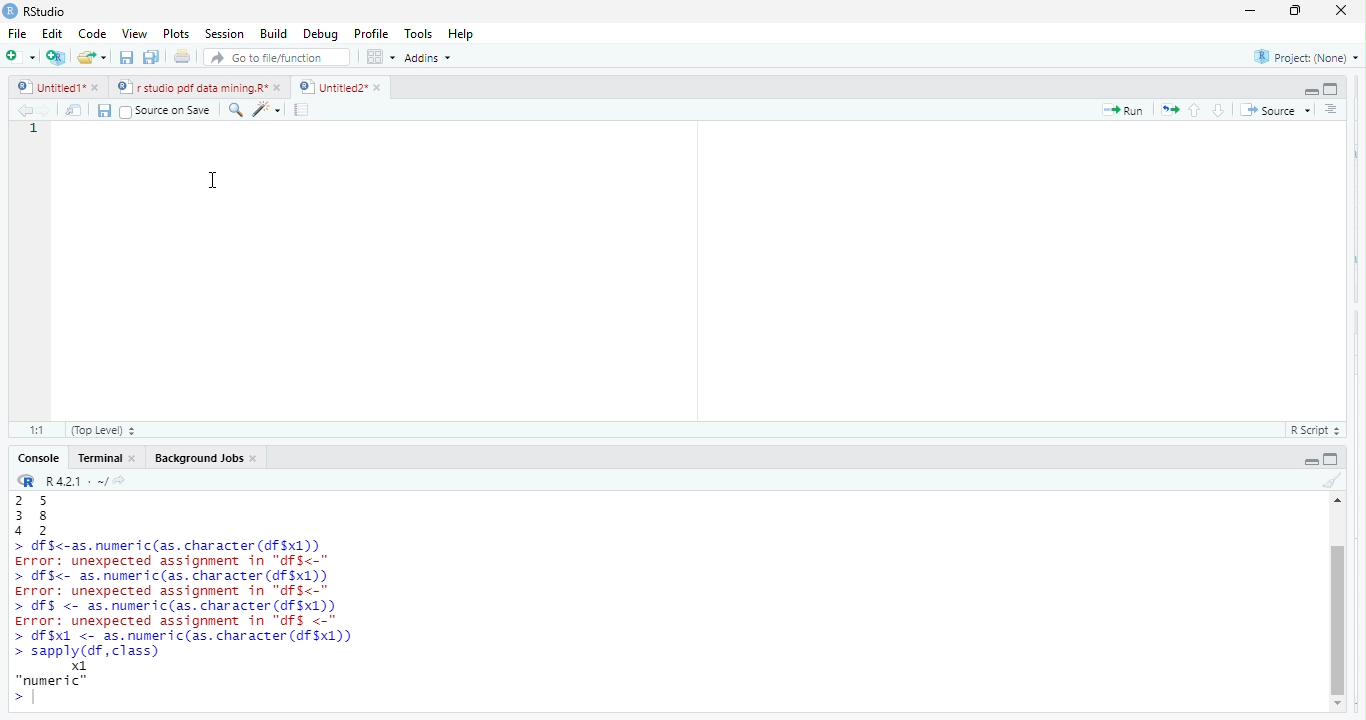  I want to click on Run, so click(1121, 112).